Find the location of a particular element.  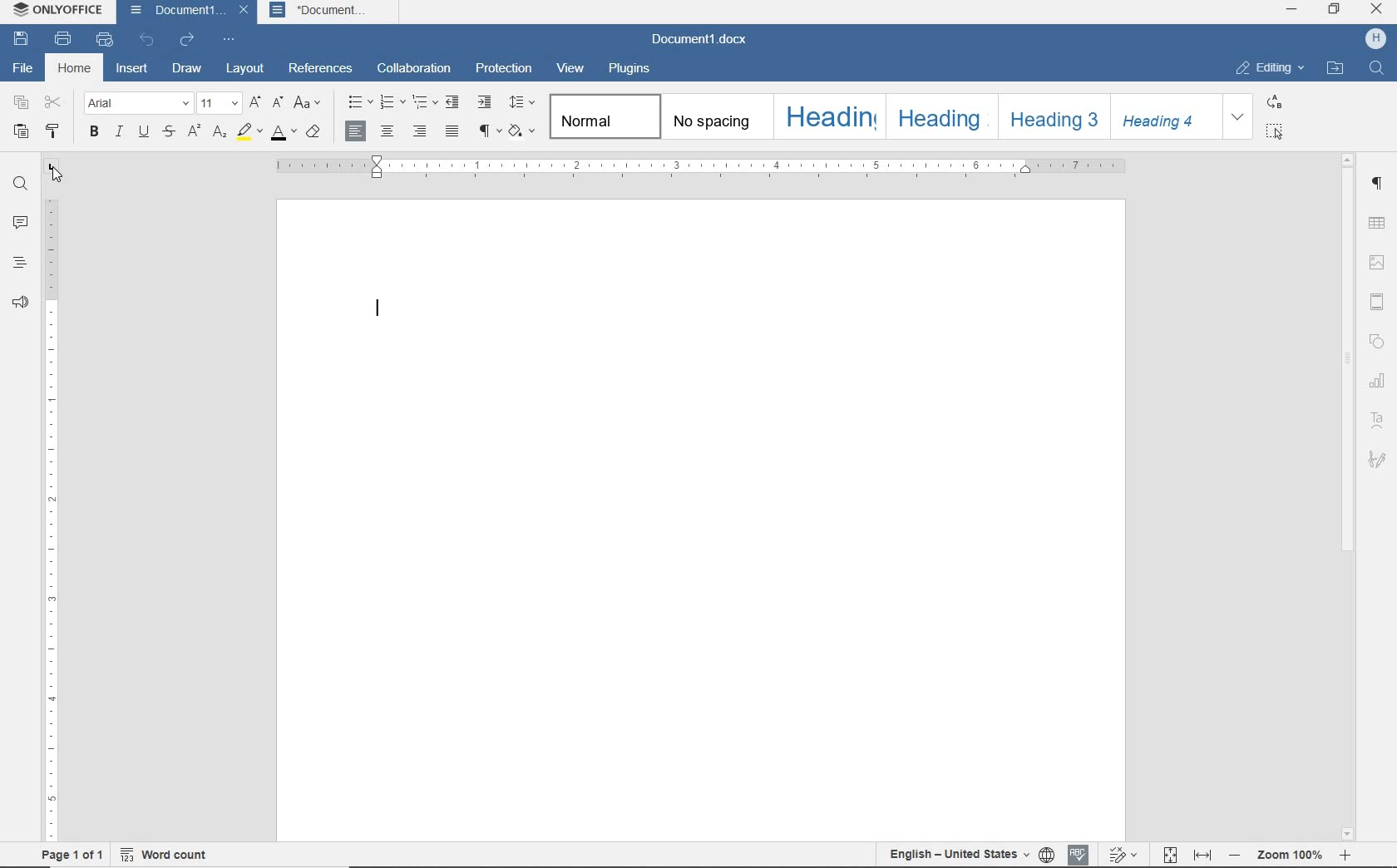

DECREMENT FONT SIZE is located at coordinates (278, 103).